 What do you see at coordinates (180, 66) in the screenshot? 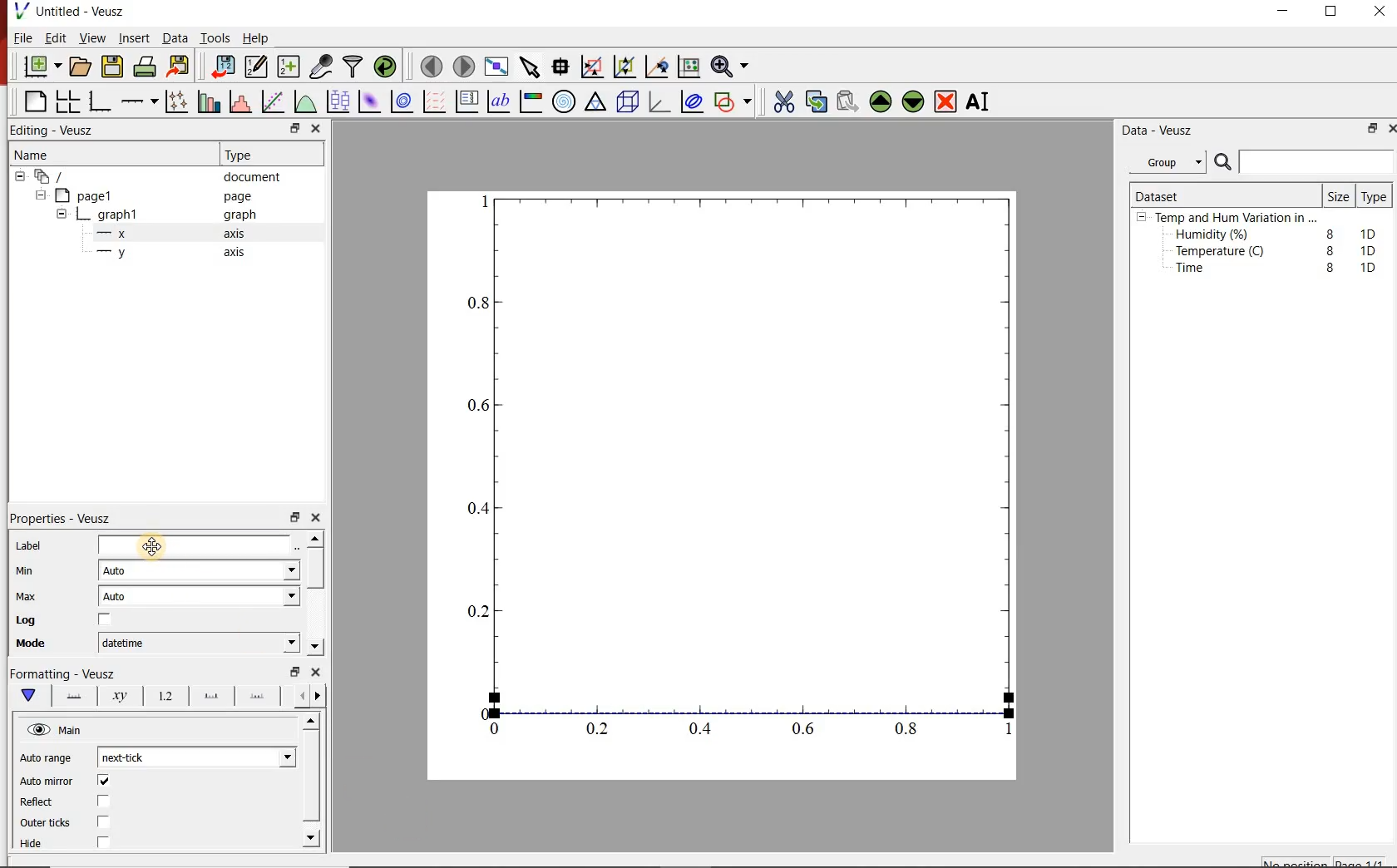
I see `Export to graphics format` at bounding box center [180, 66].